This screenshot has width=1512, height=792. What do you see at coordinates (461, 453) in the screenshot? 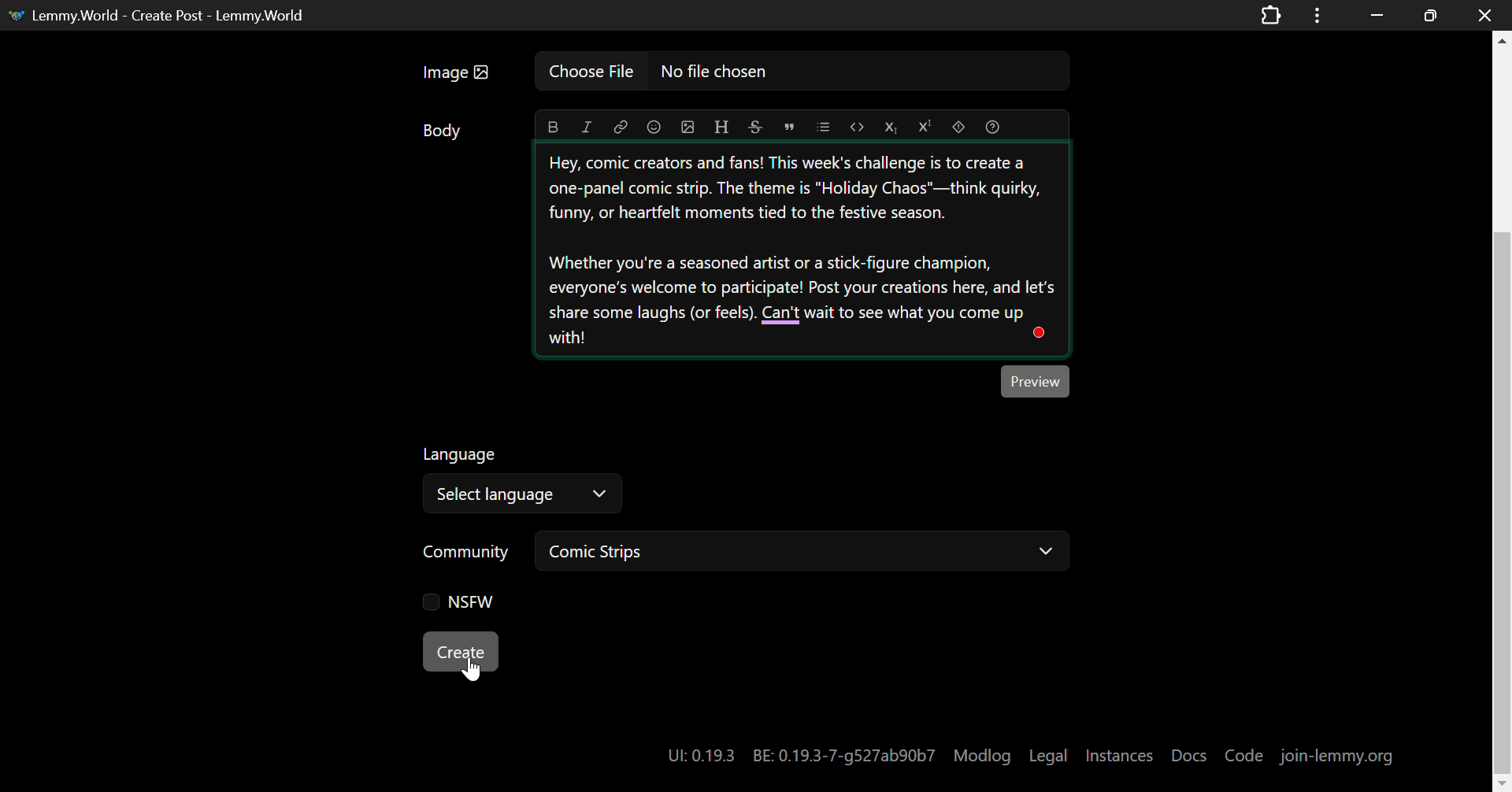
I see `Language` at bounding box center [461, 453].